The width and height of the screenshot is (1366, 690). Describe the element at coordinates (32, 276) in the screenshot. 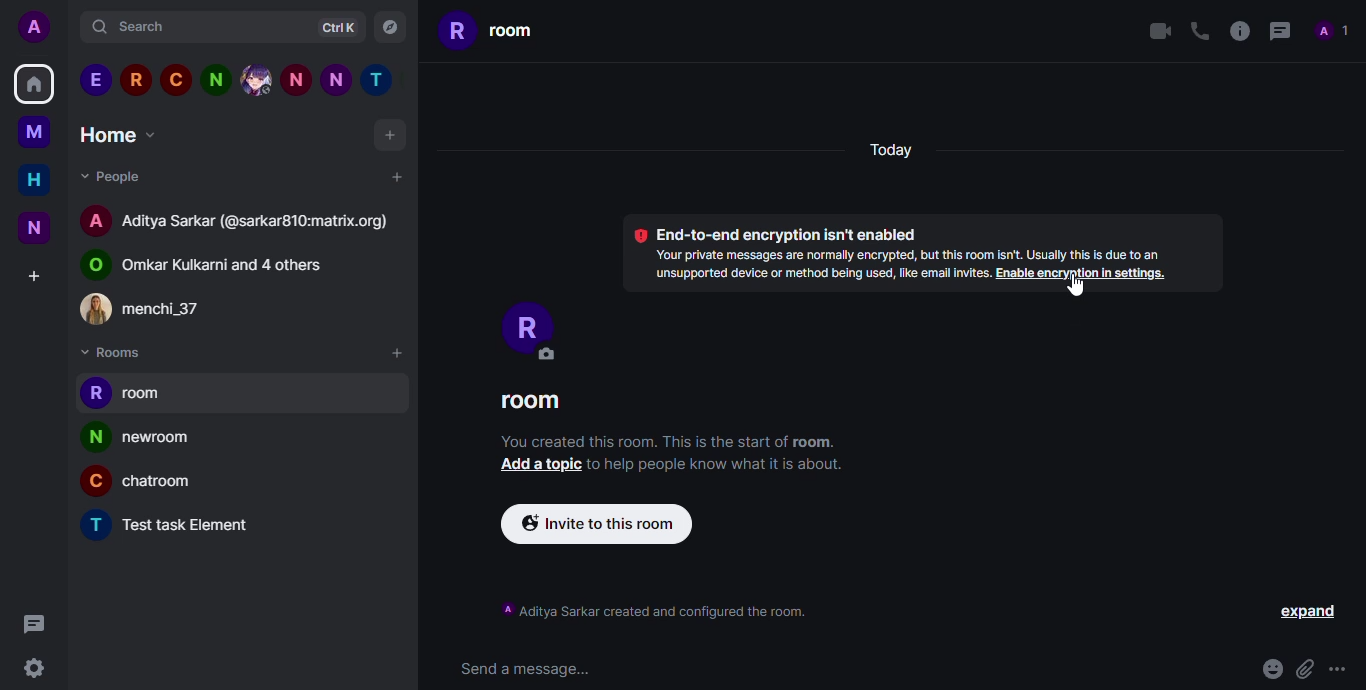

I see `create space` at that location.